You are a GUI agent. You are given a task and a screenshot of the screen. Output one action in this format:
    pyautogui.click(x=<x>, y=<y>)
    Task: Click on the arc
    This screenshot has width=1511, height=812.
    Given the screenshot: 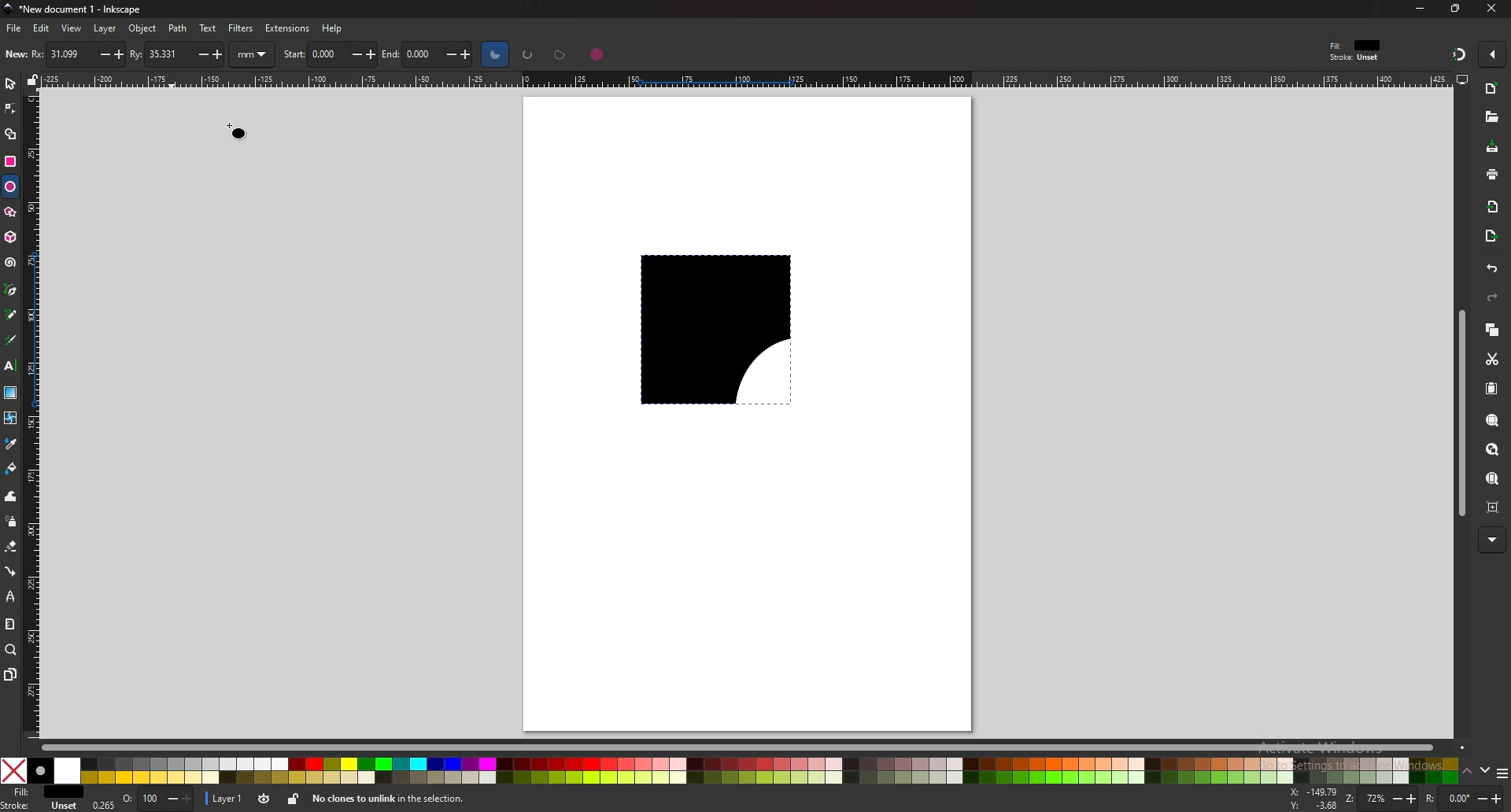 What is the action you would take?
    pyautogui.click(x=526, y=54)
    